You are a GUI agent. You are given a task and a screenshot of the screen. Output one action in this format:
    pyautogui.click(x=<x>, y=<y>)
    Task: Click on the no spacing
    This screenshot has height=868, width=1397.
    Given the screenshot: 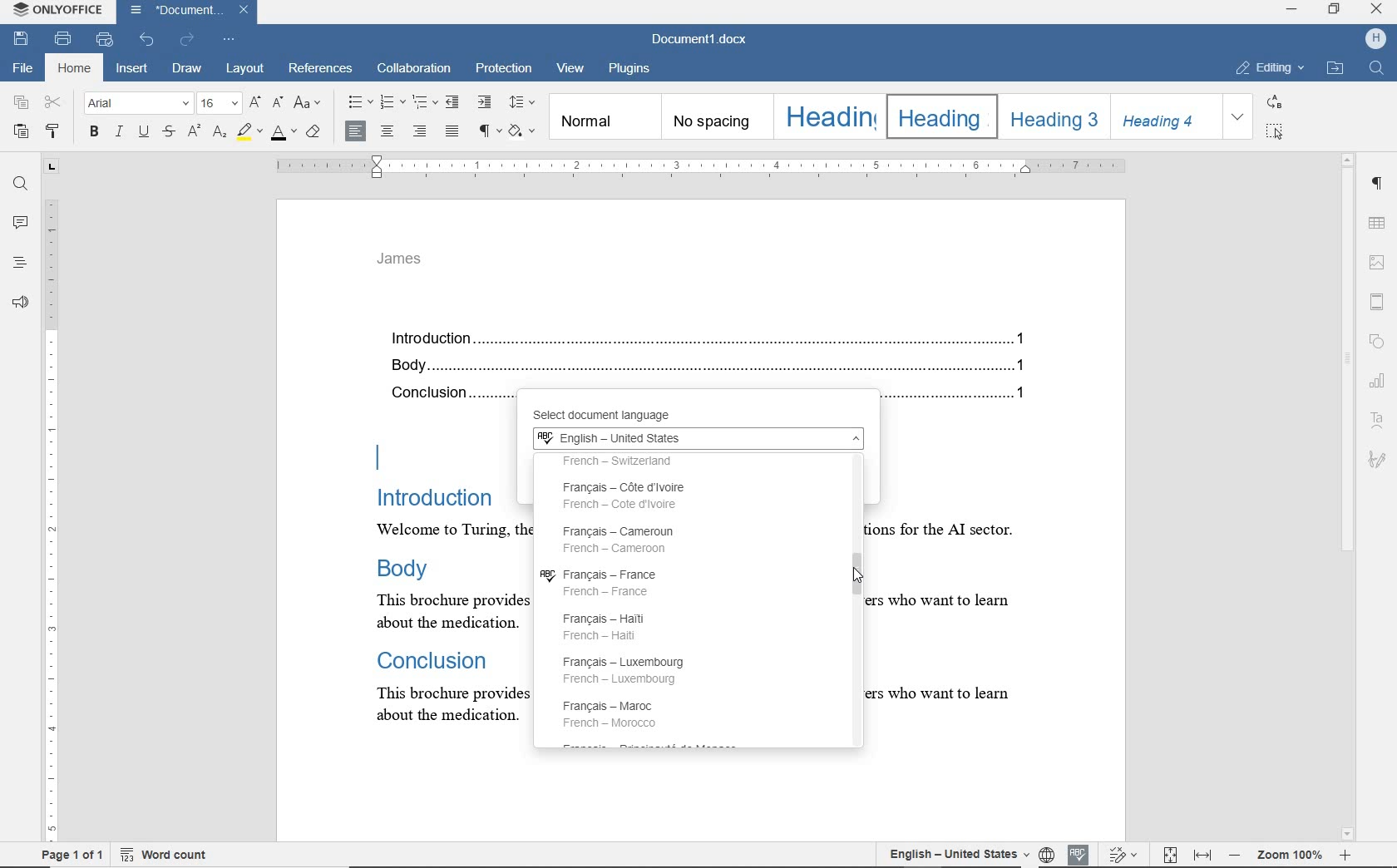 What is the action you would take?
    pyautogui.click(x=715, y=117)
    